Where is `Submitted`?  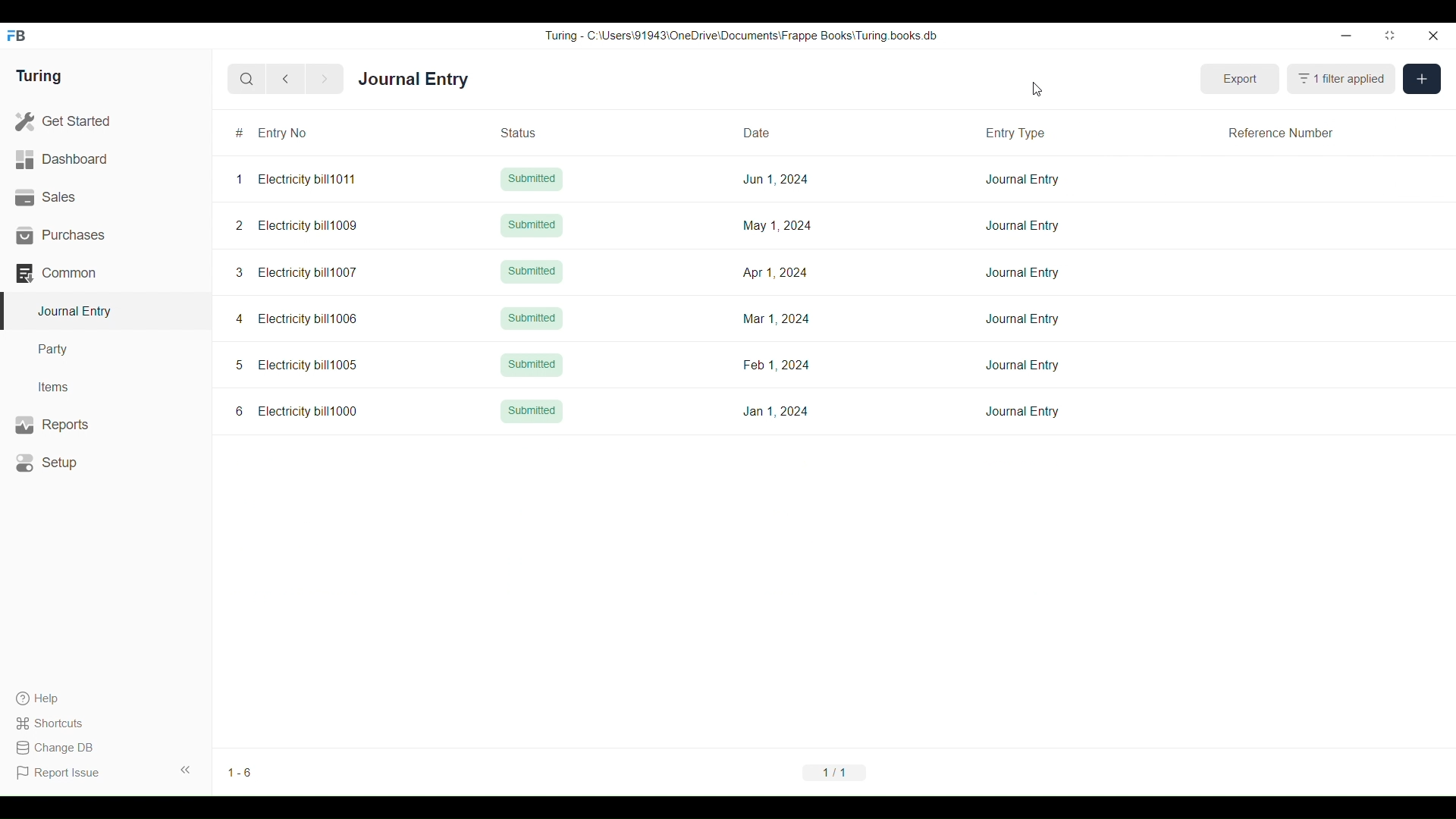
Submitted is located at coordinates (532, 179).